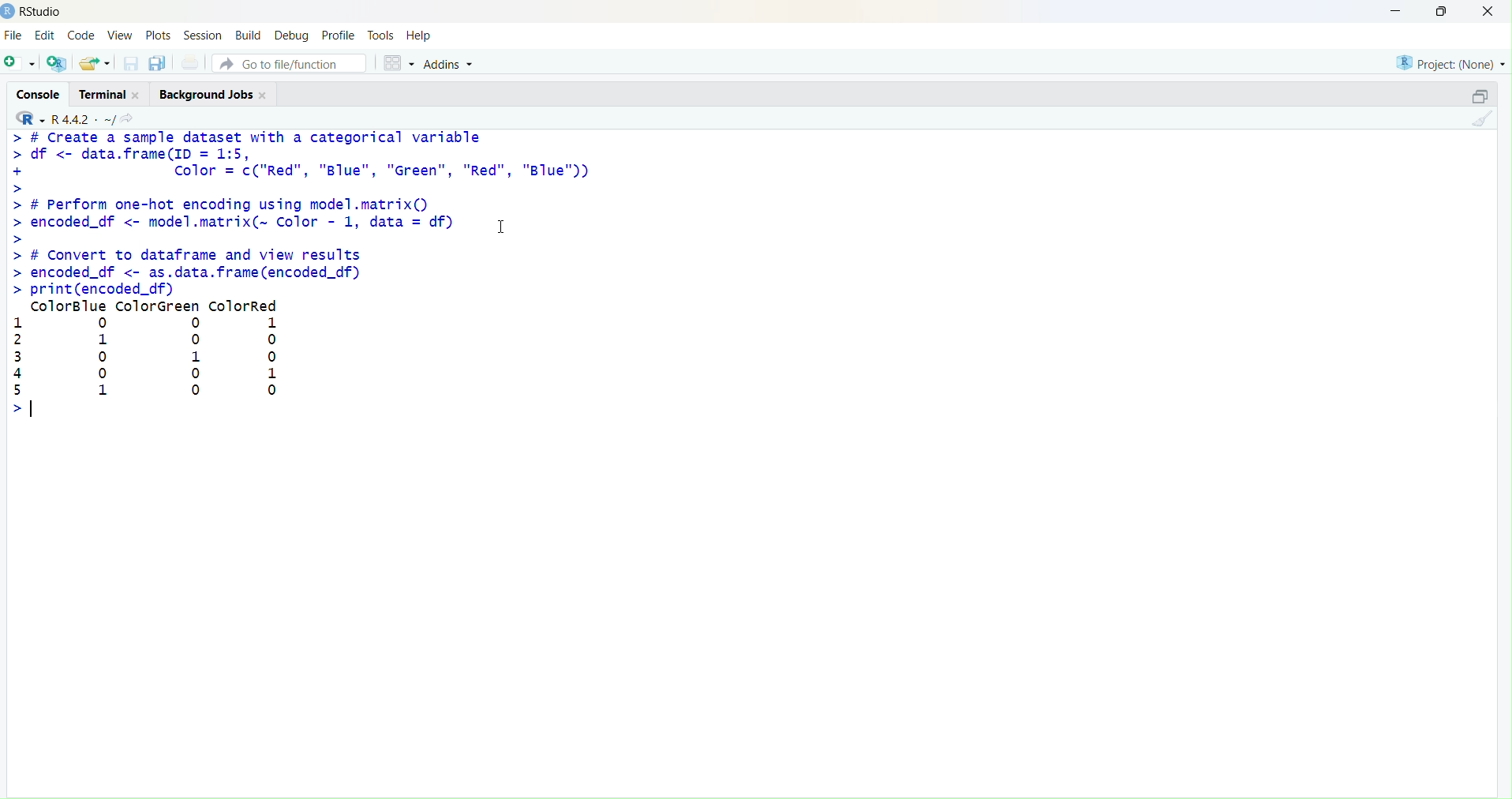 This screenshot has height=799, width=1512. I want to click on terminal, so click(102, 96).